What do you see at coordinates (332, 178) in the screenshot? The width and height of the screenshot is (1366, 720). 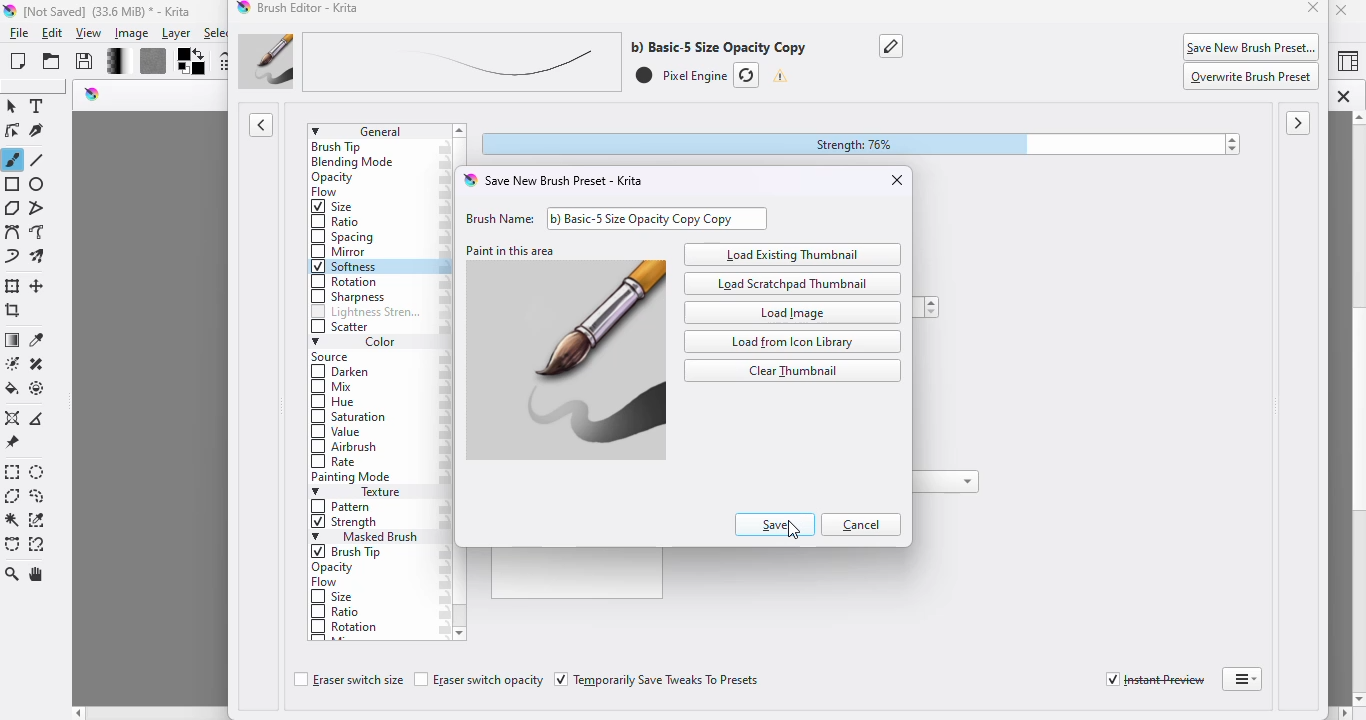 I see `opacity` at bounding box center [332, 178].